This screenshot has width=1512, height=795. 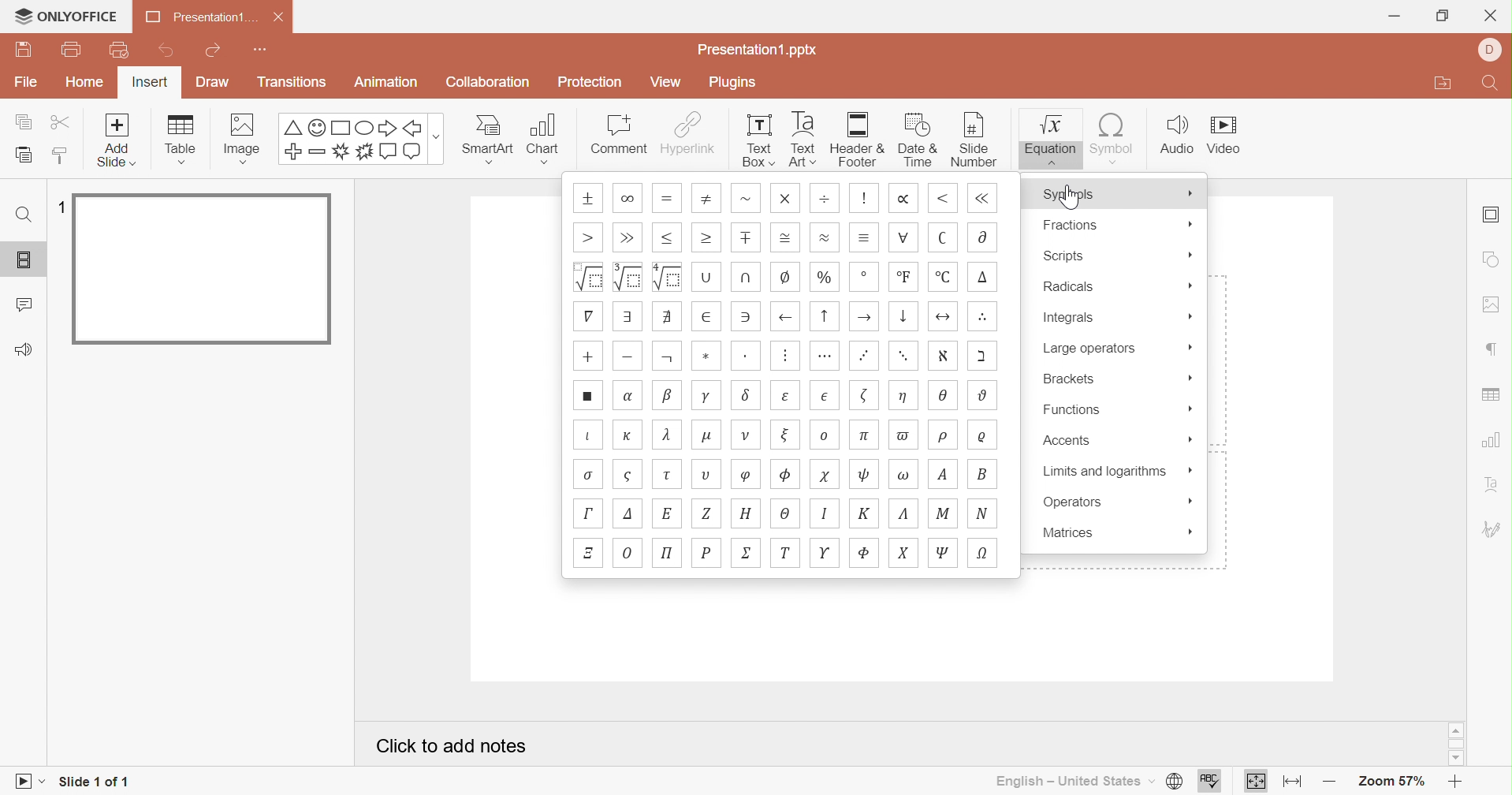 What do you see at coordinates (762, 50) in the screenshot?
I see `Presentation.pptx` at bounding box center [762, 50].